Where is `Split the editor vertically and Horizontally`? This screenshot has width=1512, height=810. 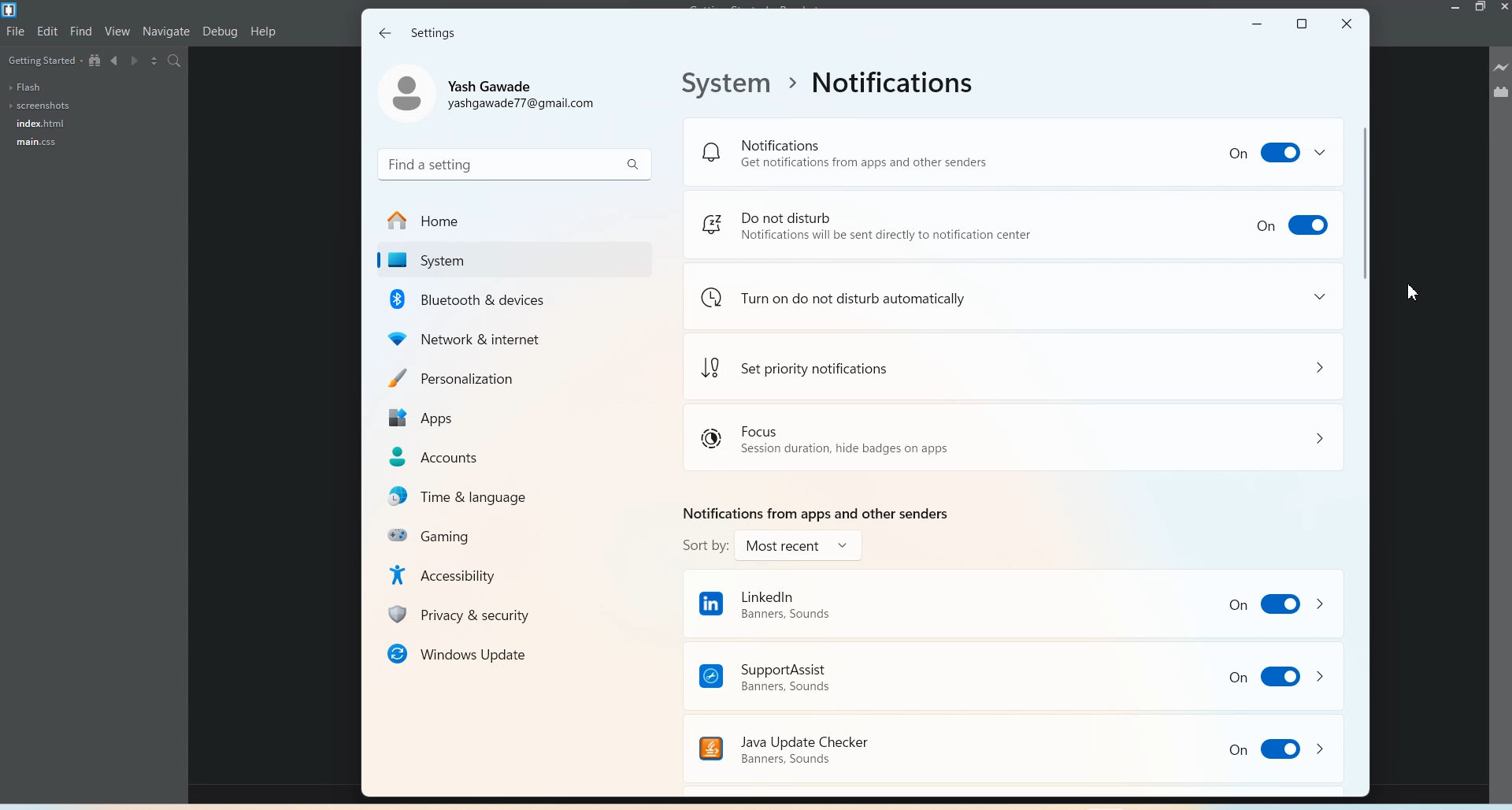 Split the editor vertically and Horizontally is located at coordinates (156, 62).